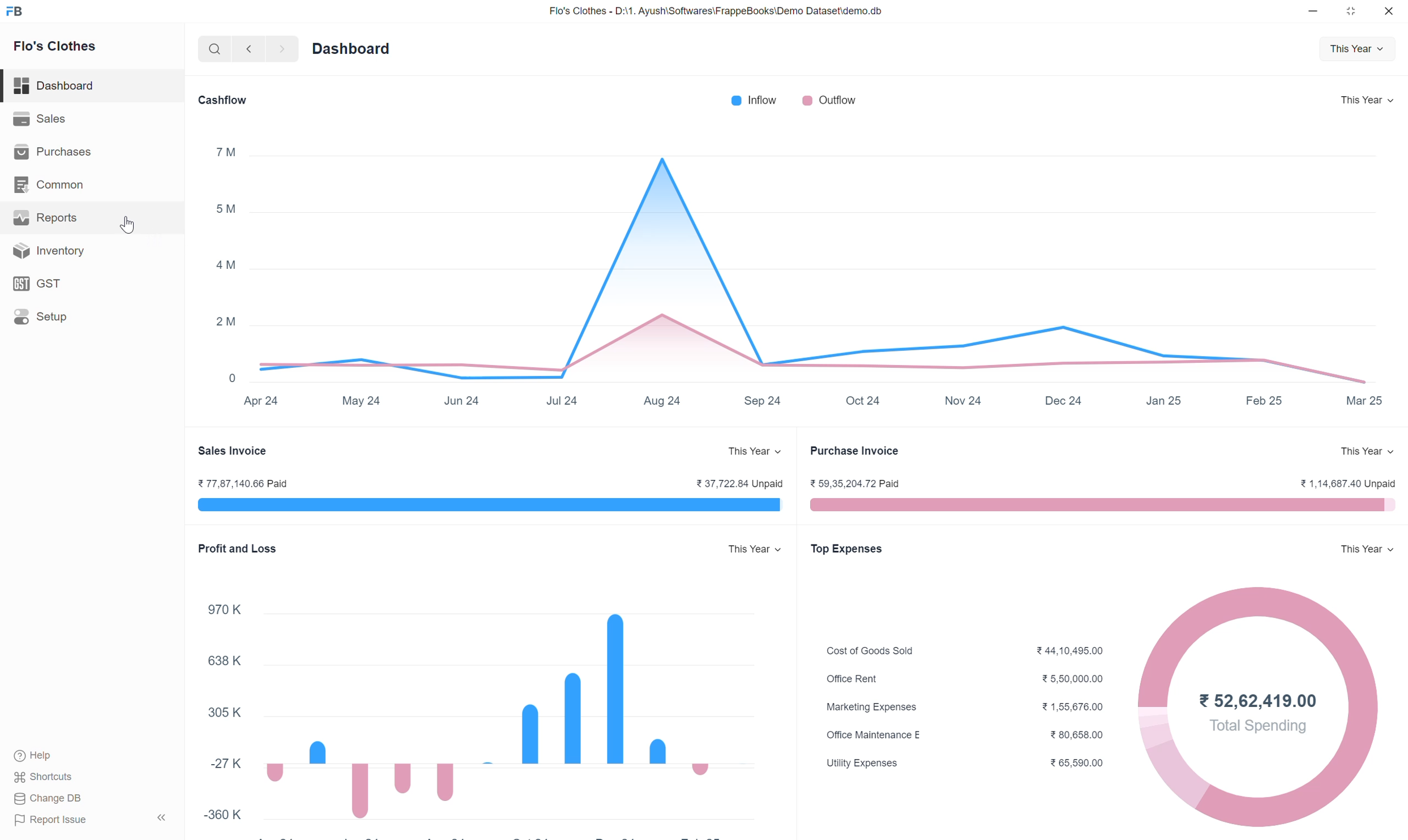  I want to click on 5M, so click(228, 208).